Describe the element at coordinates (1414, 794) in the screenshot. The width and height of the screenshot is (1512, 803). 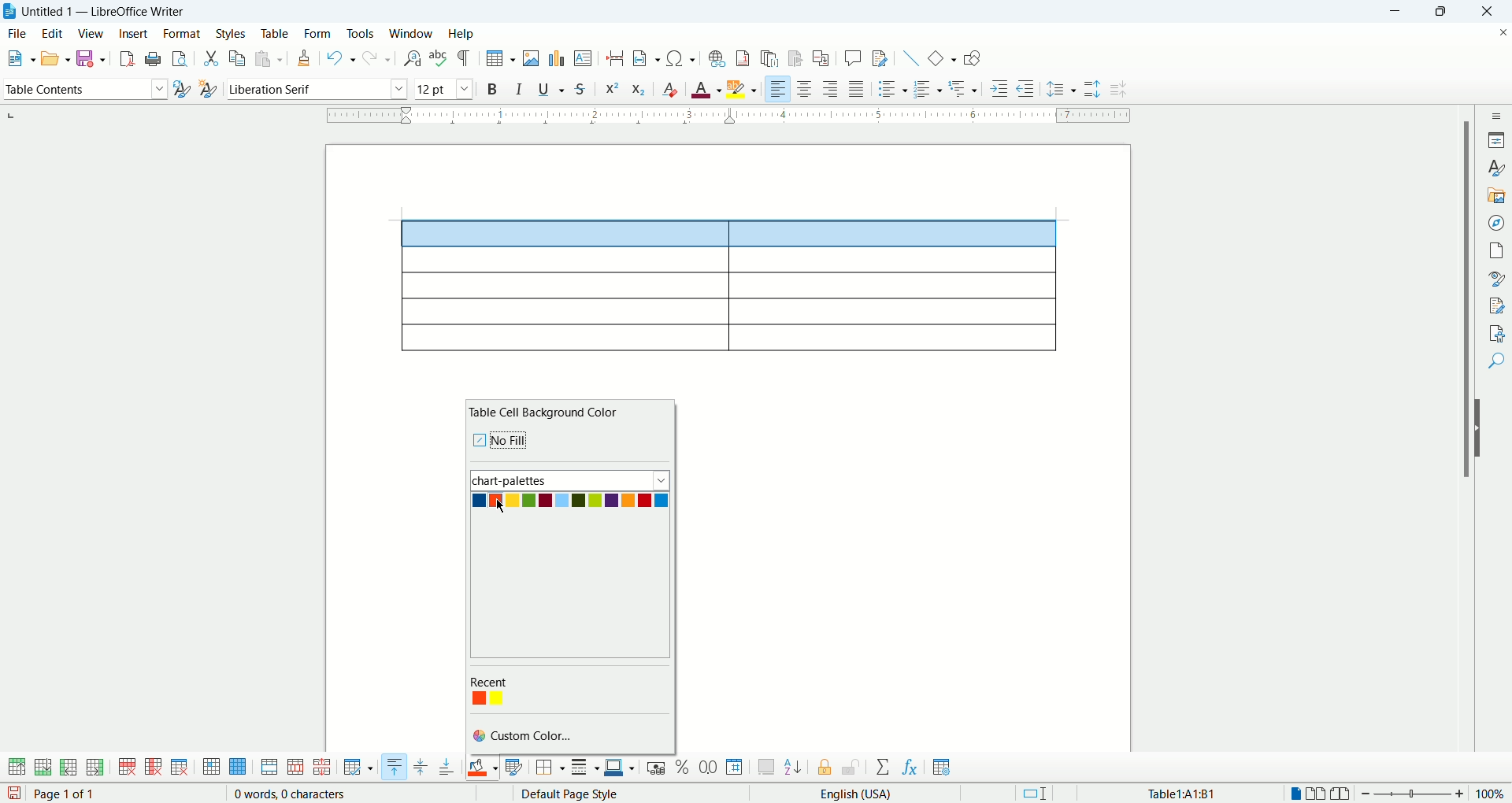
I see `zoom bar` at that location.